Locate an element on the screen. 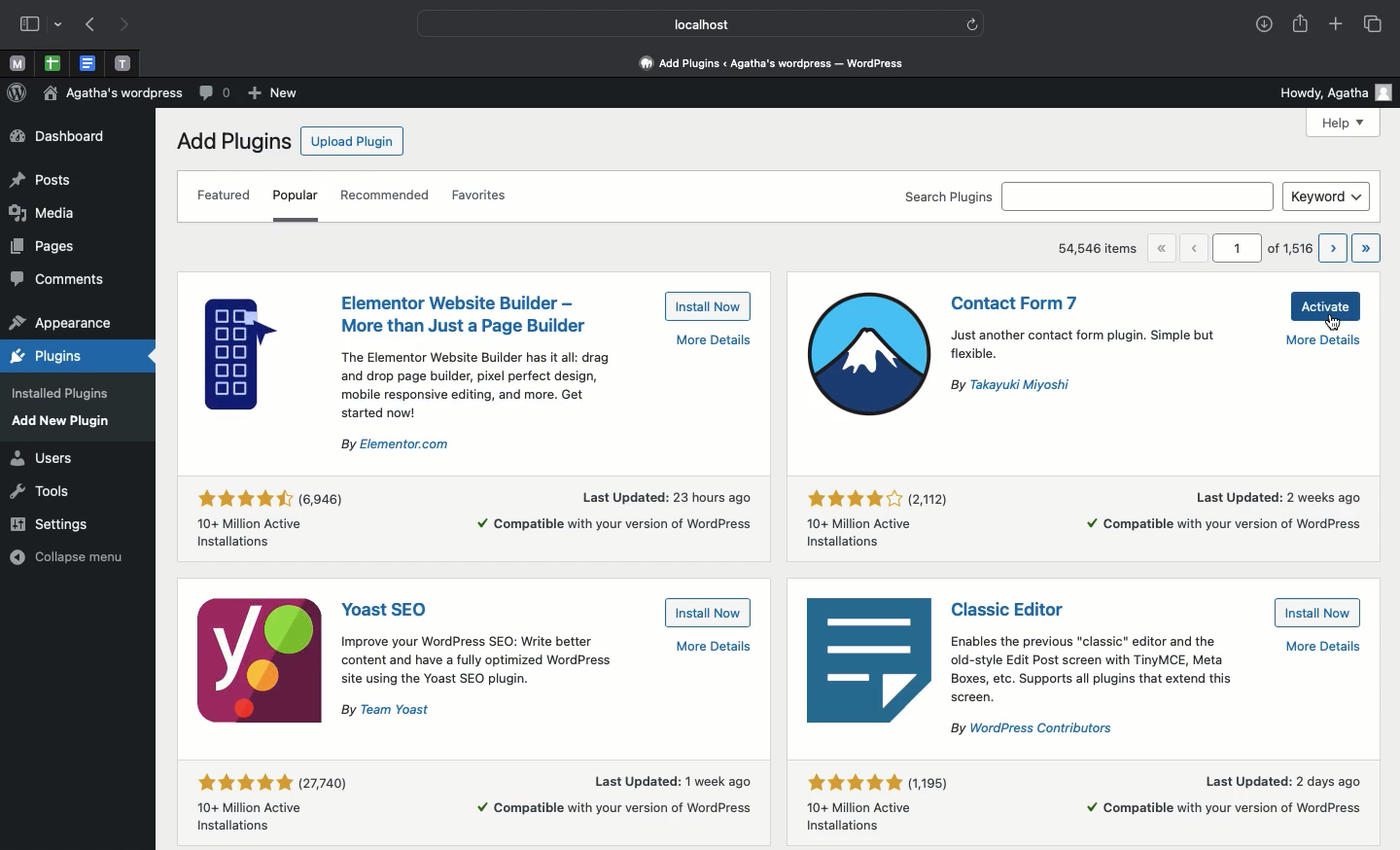 The height and width of the screenshot is (850, 1400). Install now is located at coordinates (1316, 612).